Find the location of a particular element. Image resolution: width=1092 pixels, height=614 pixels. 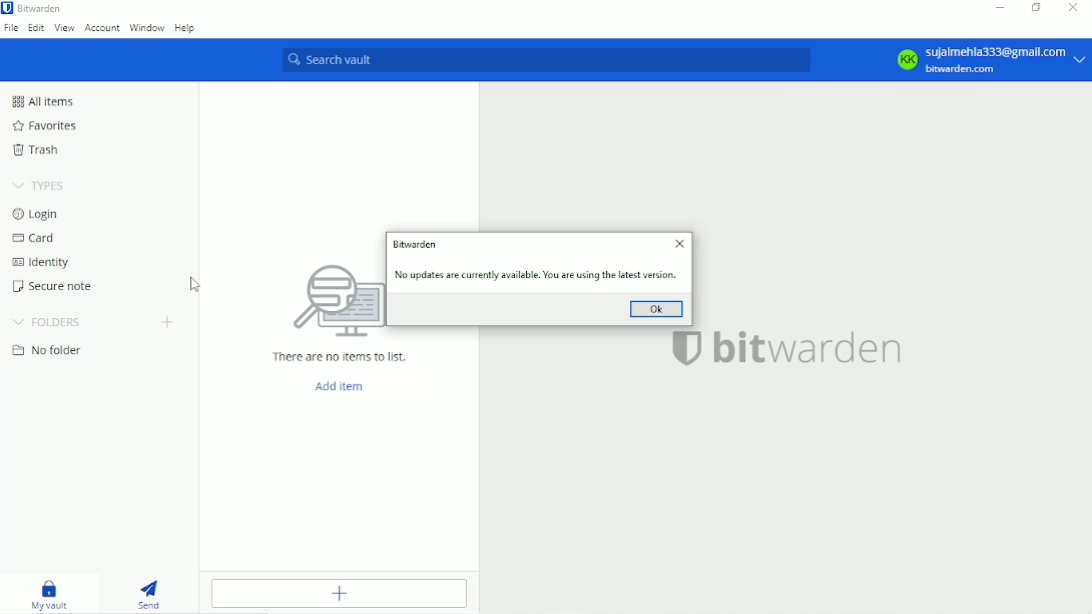

logo is located at coordinates (685, 348).